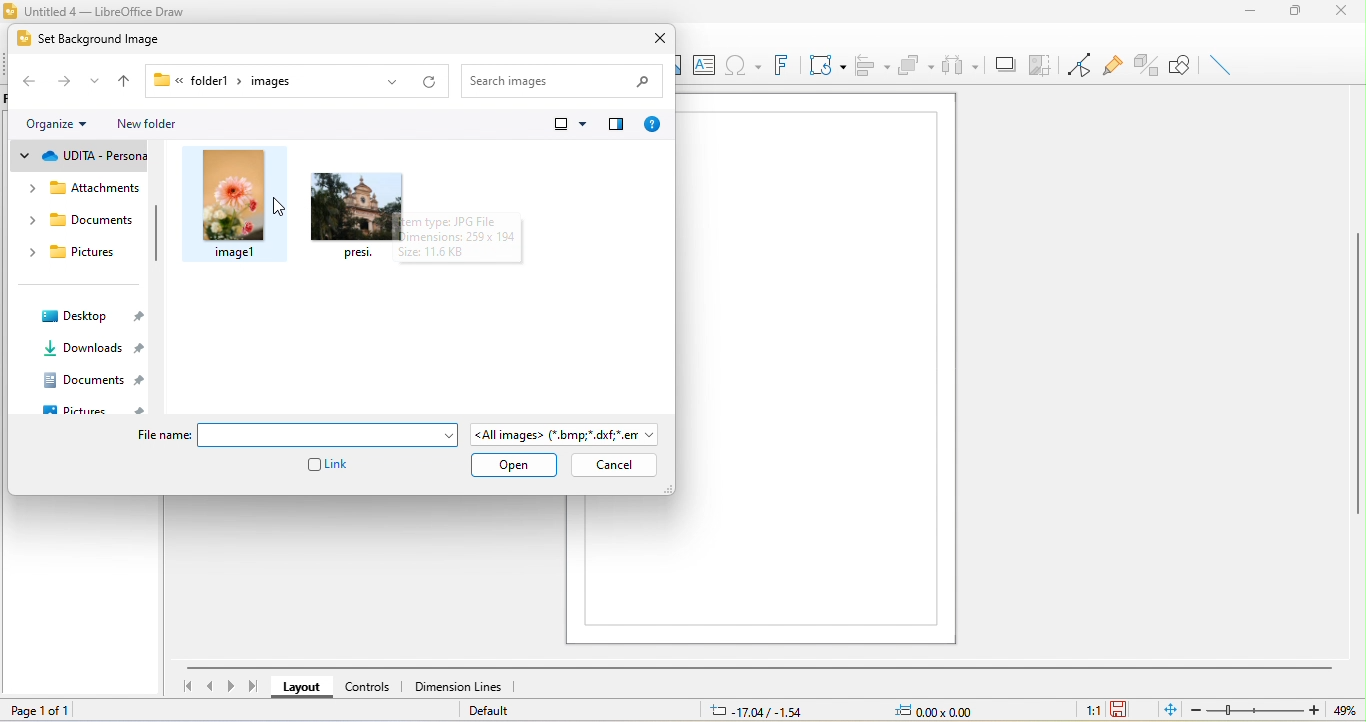 Image resolution: width=1366 pixels, height=722 pixels. Describe the element at coordinates (72, 258) in the screenshot. I see `pictures` at that location.